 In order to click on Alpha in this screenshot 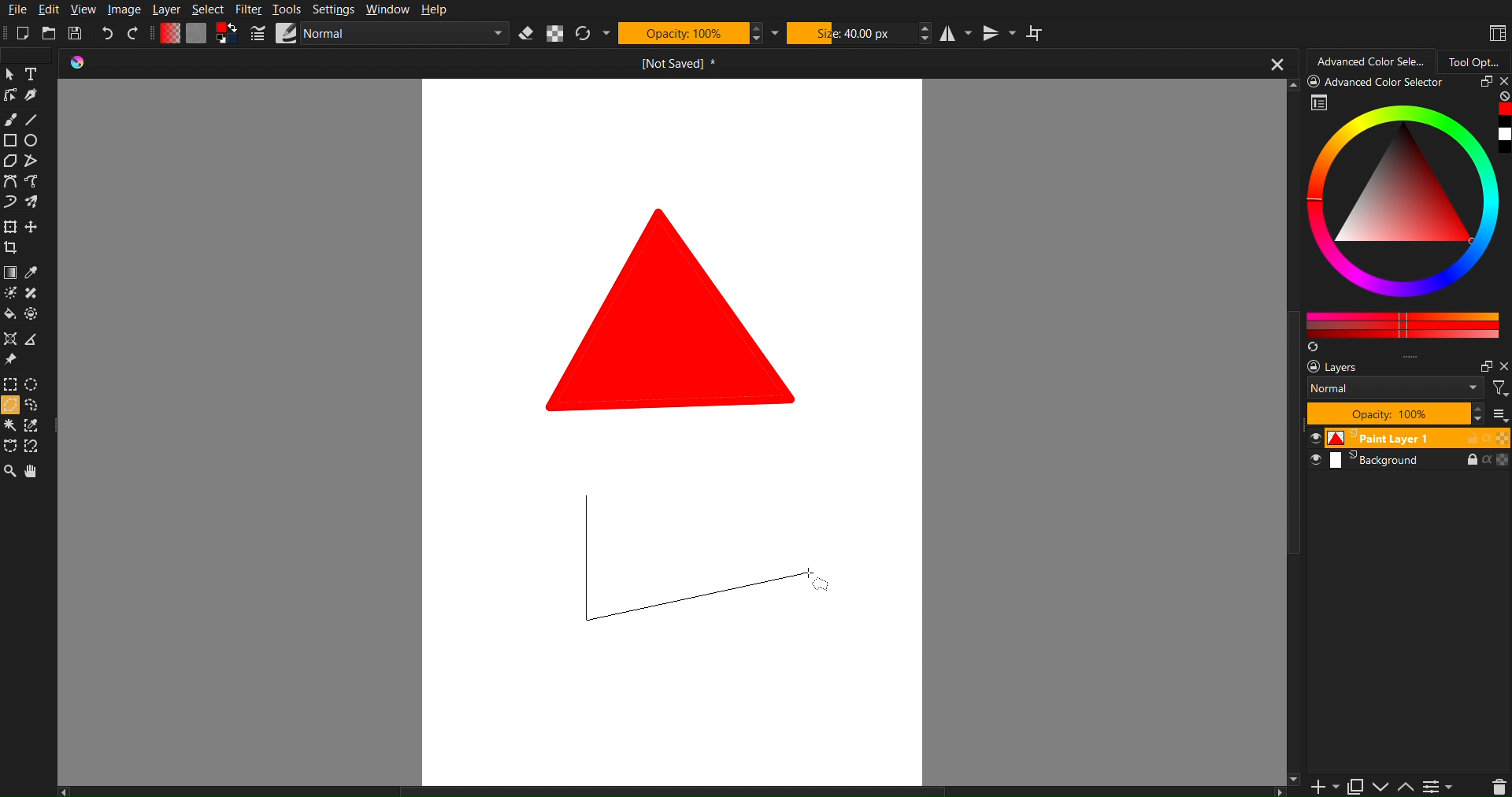, I will do `click(558, 34)`.